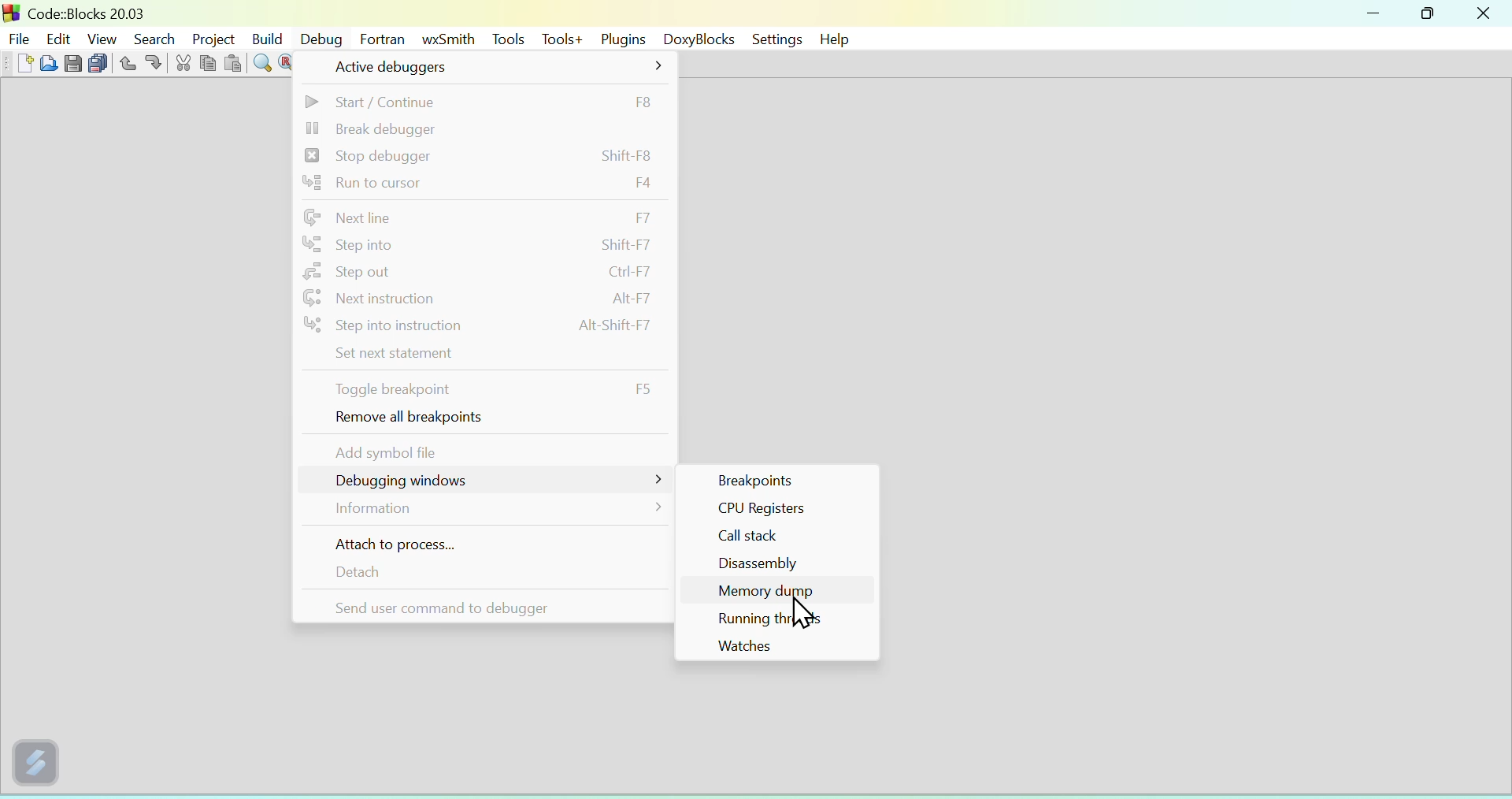  Describe the element at coordinates (482, 245) in the screenshot. I see `step into` at that location.